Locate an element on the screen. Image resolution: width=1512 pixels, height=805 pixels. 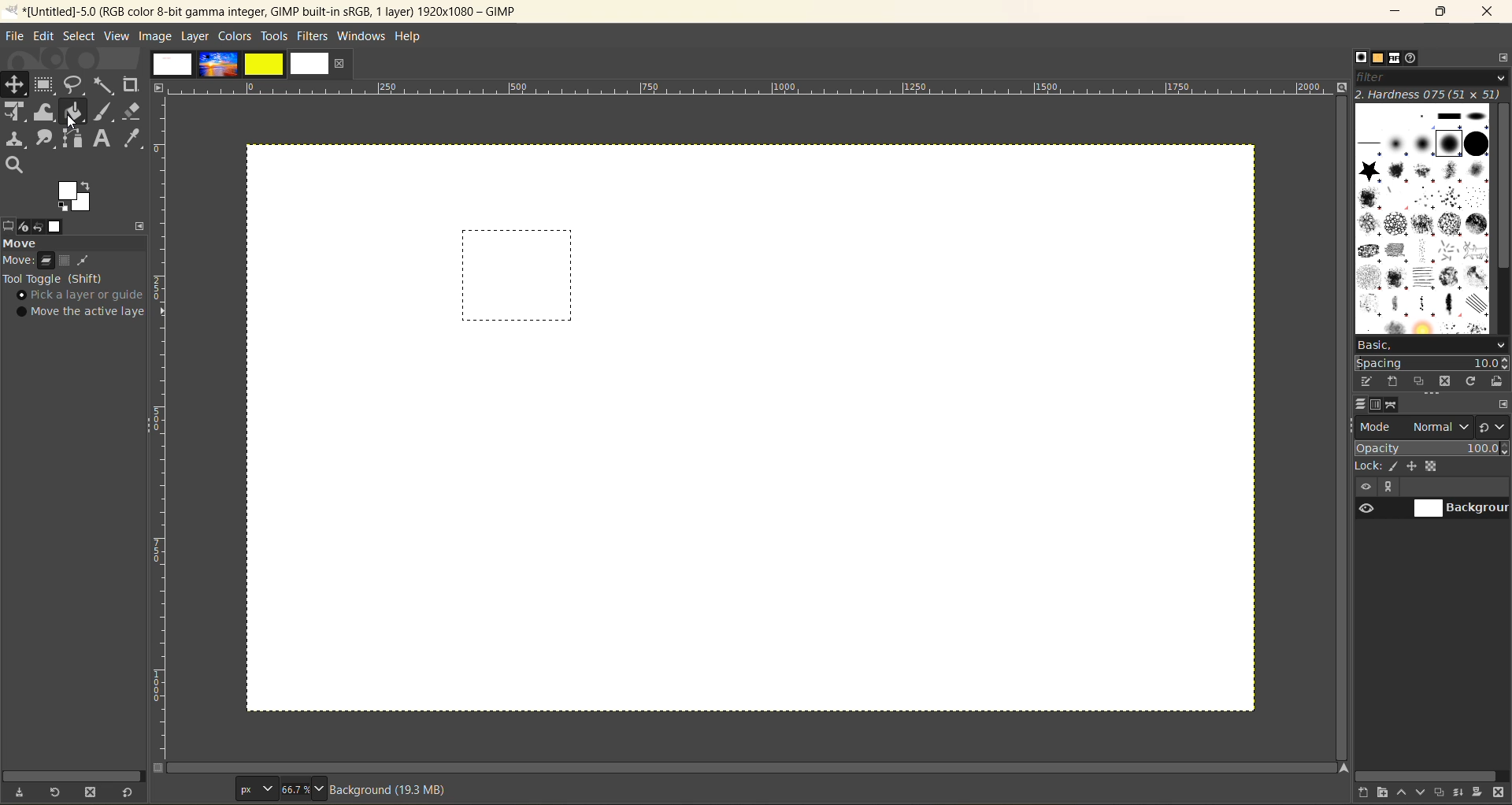
duplicate this brush is located at coordinates (1421, 381).